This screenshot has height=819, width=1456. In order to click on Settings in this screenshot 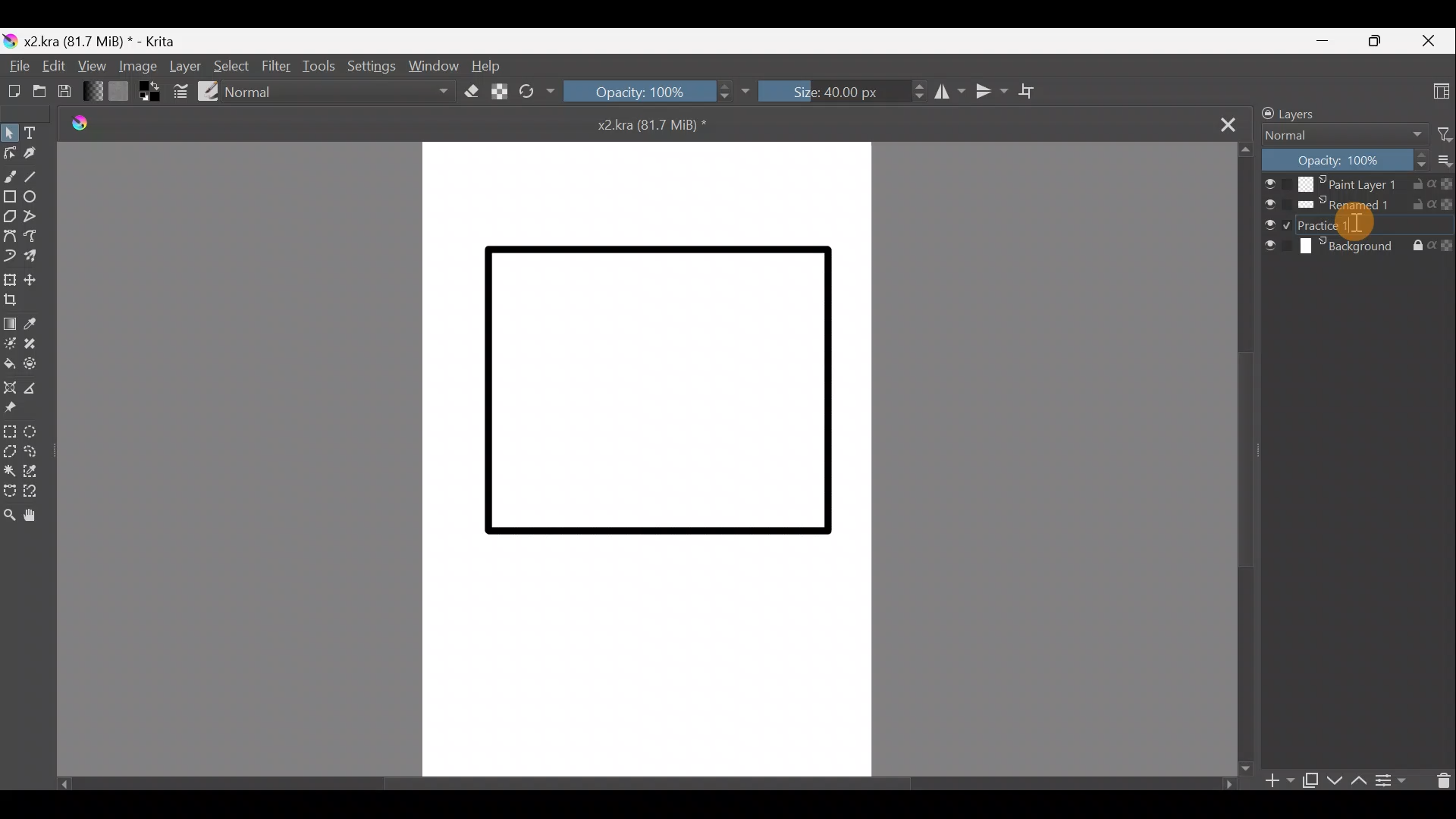, I will do `click(369, 68)`.